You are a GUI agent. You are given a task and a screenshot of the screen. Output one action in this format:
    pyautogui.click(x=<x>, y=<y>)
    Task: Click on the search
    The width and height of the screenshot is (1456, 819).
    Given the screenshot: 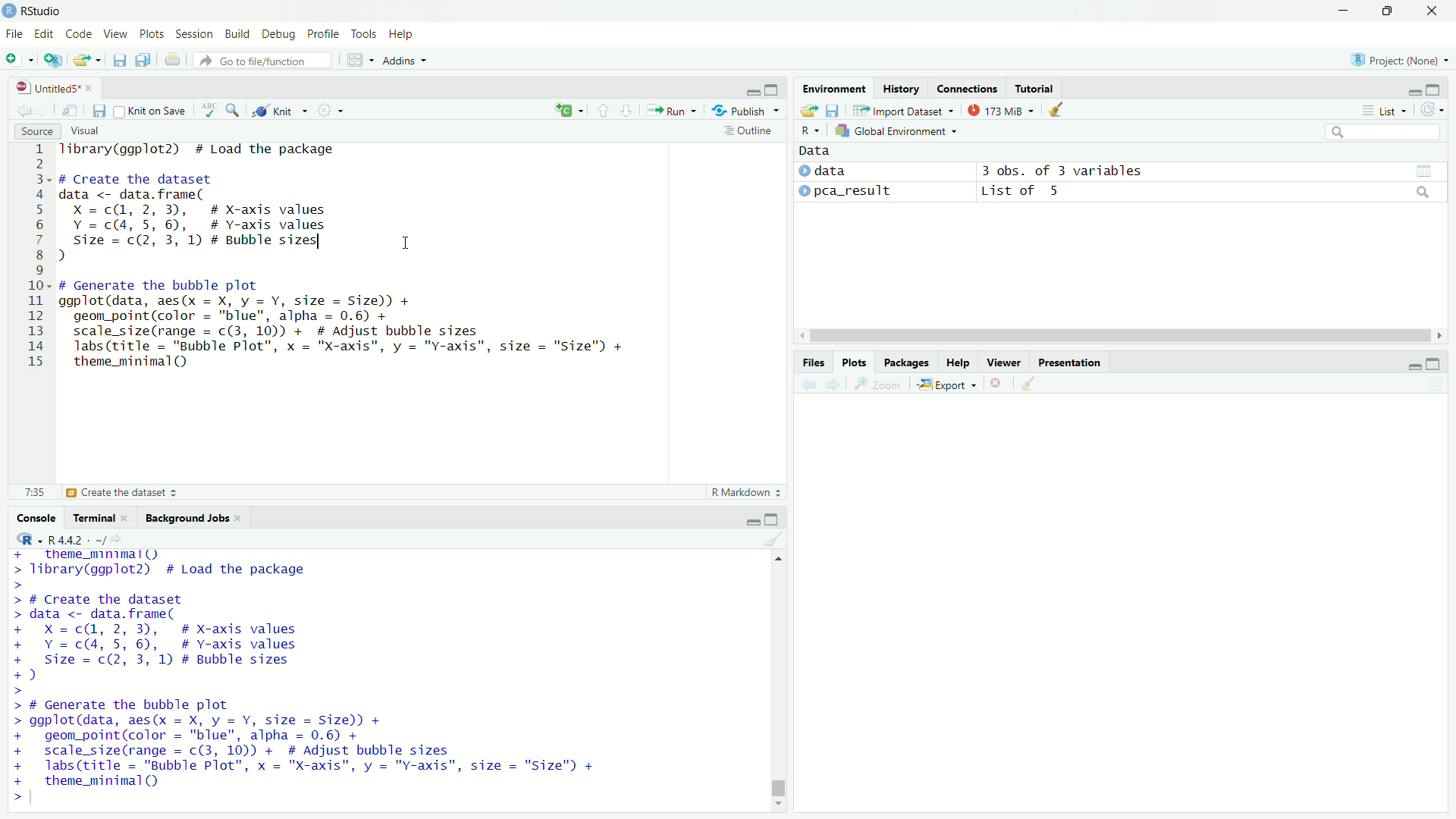 What is the action you would take?
    pyautogui.click(x=1385, y=132)
    